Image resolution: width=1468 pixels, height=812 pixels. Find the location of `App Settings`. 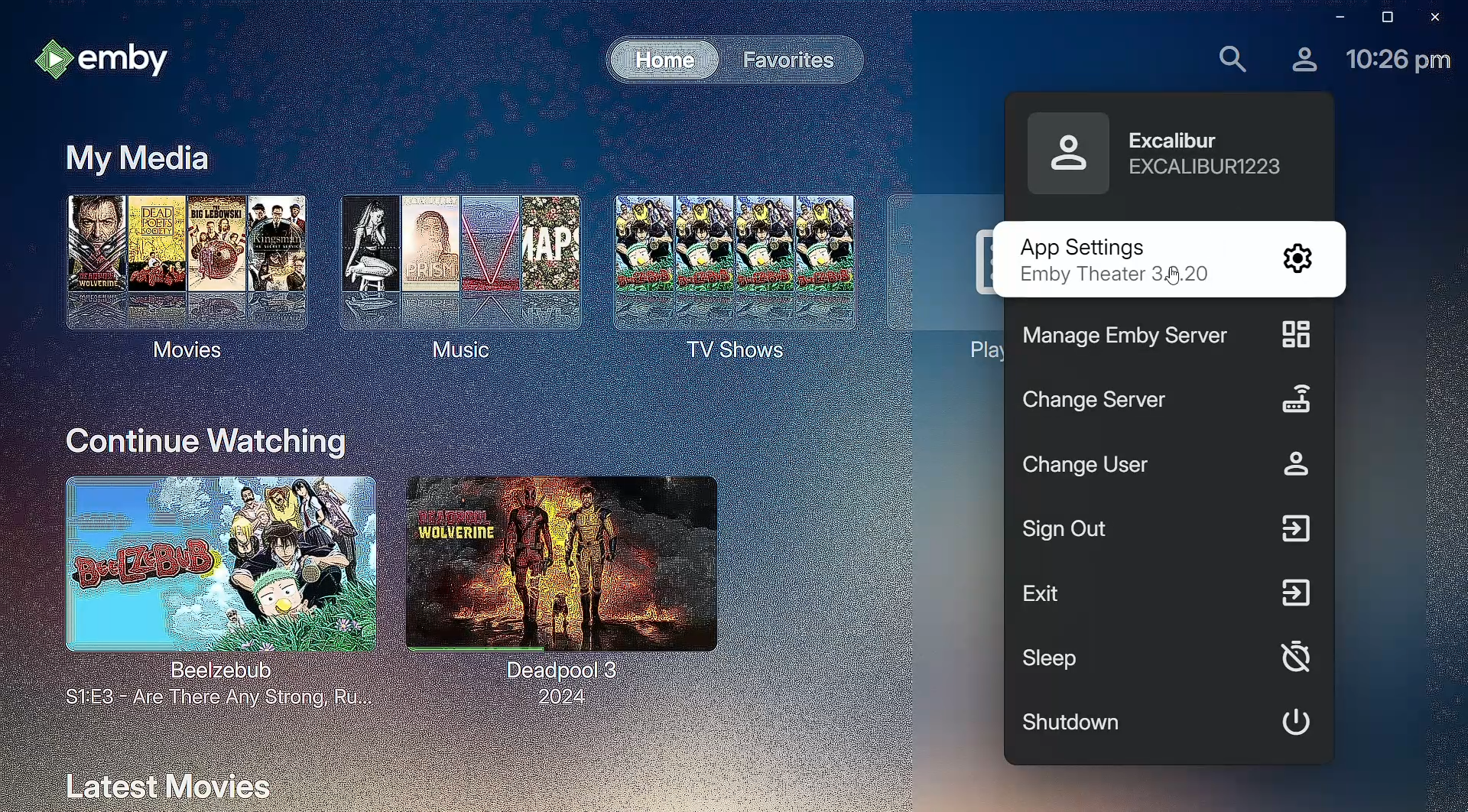

App Settings is located at coordinates (1160, 244).